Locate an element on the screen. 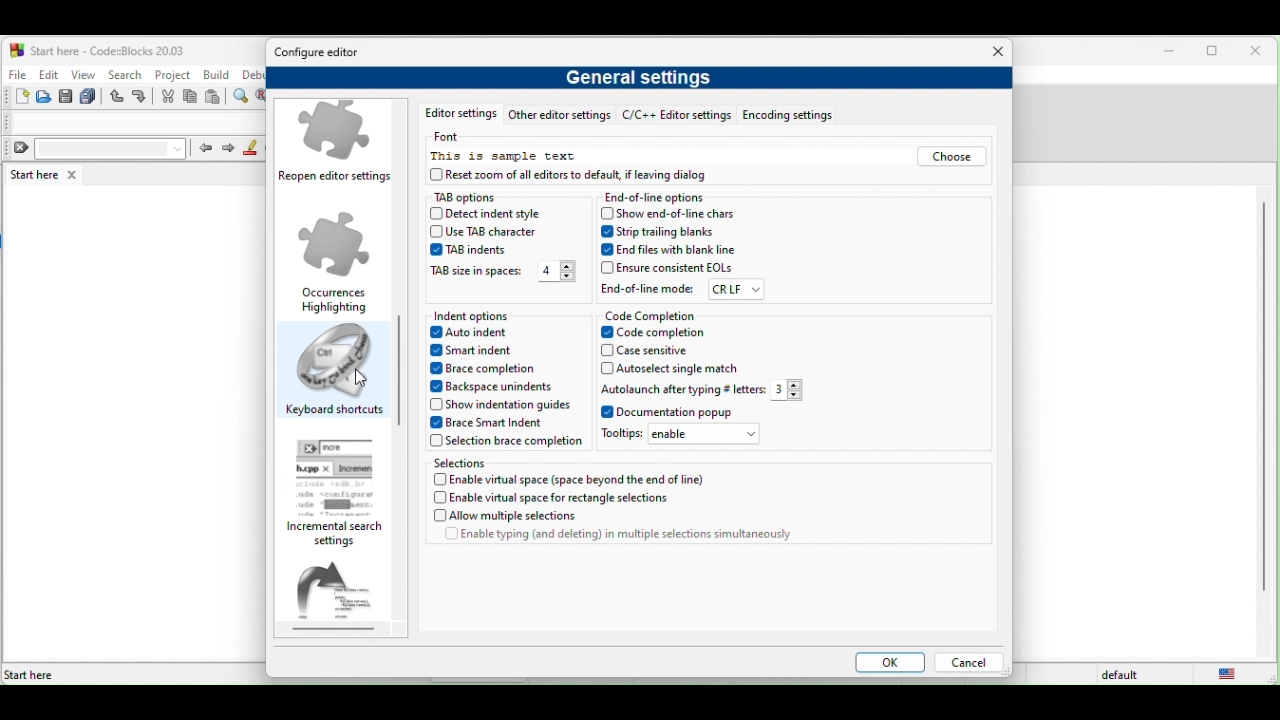 Image resolution: width=1280 pixels, height=720 pixels. end of line mode is located at coordinates (648, 288).